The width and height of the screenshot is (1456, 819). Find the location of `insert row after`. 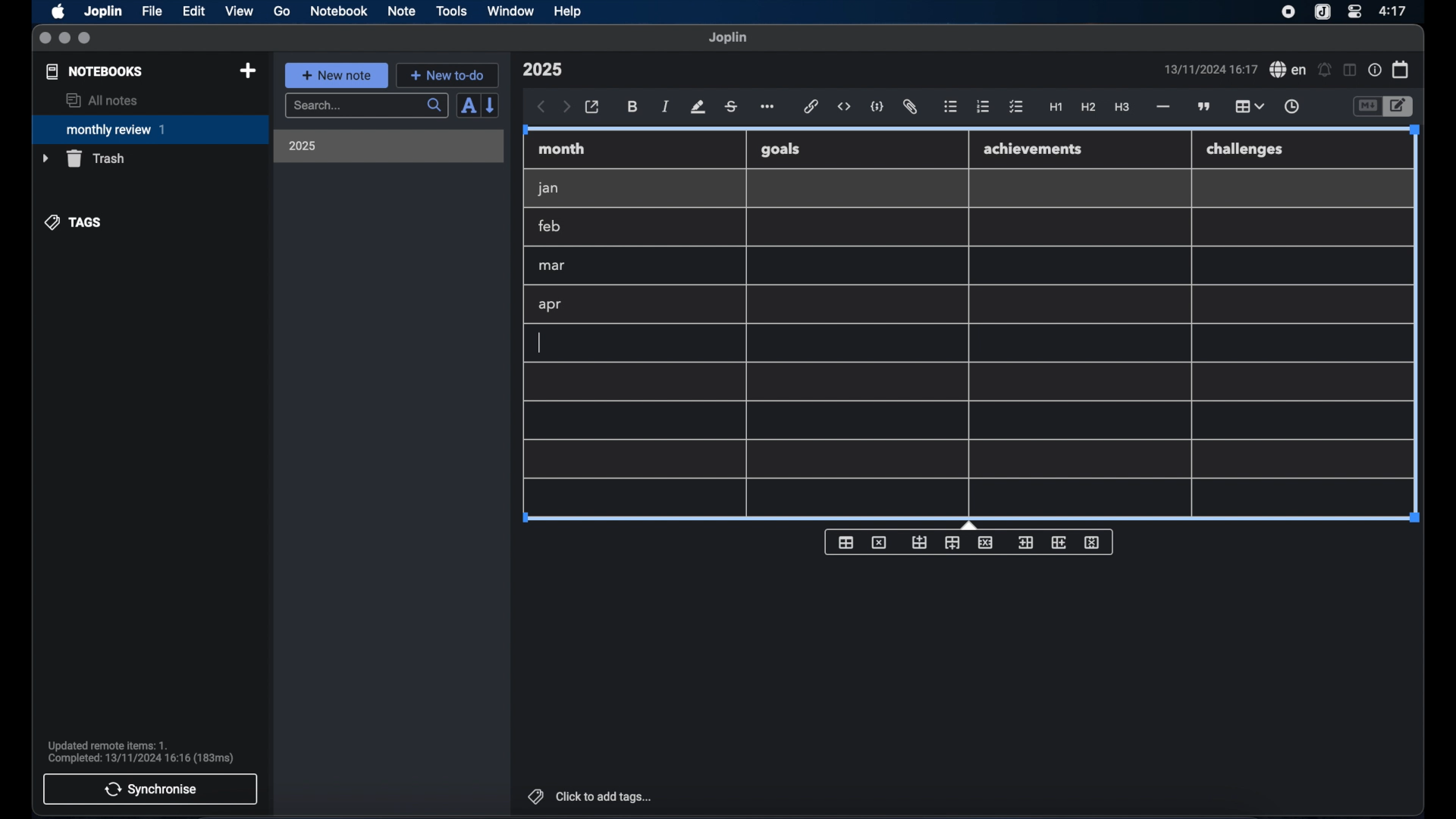

insert row after is located at coordinates (952, 543).